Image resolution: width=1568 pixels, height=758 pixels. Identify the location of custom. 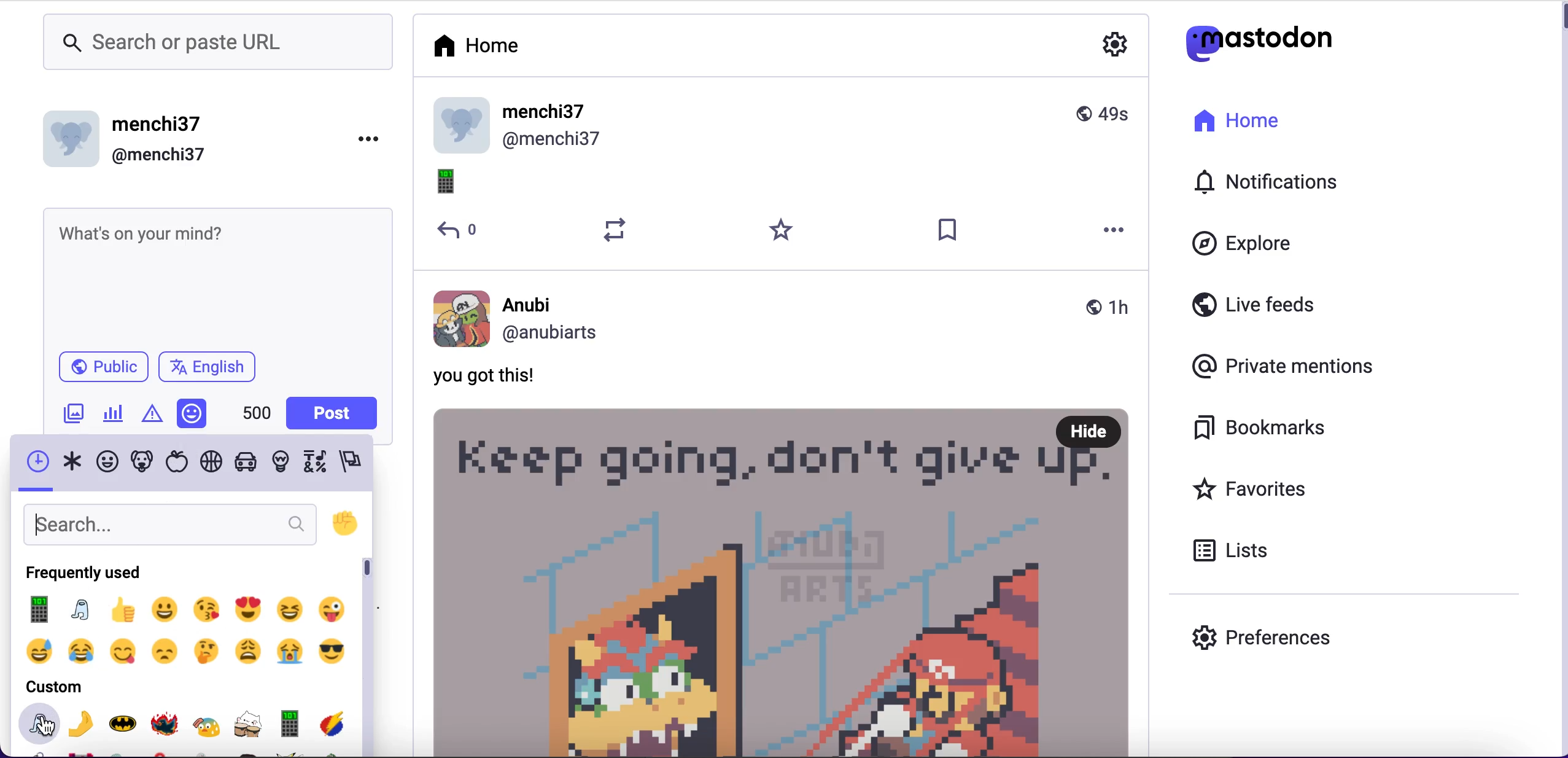
(52, 687).